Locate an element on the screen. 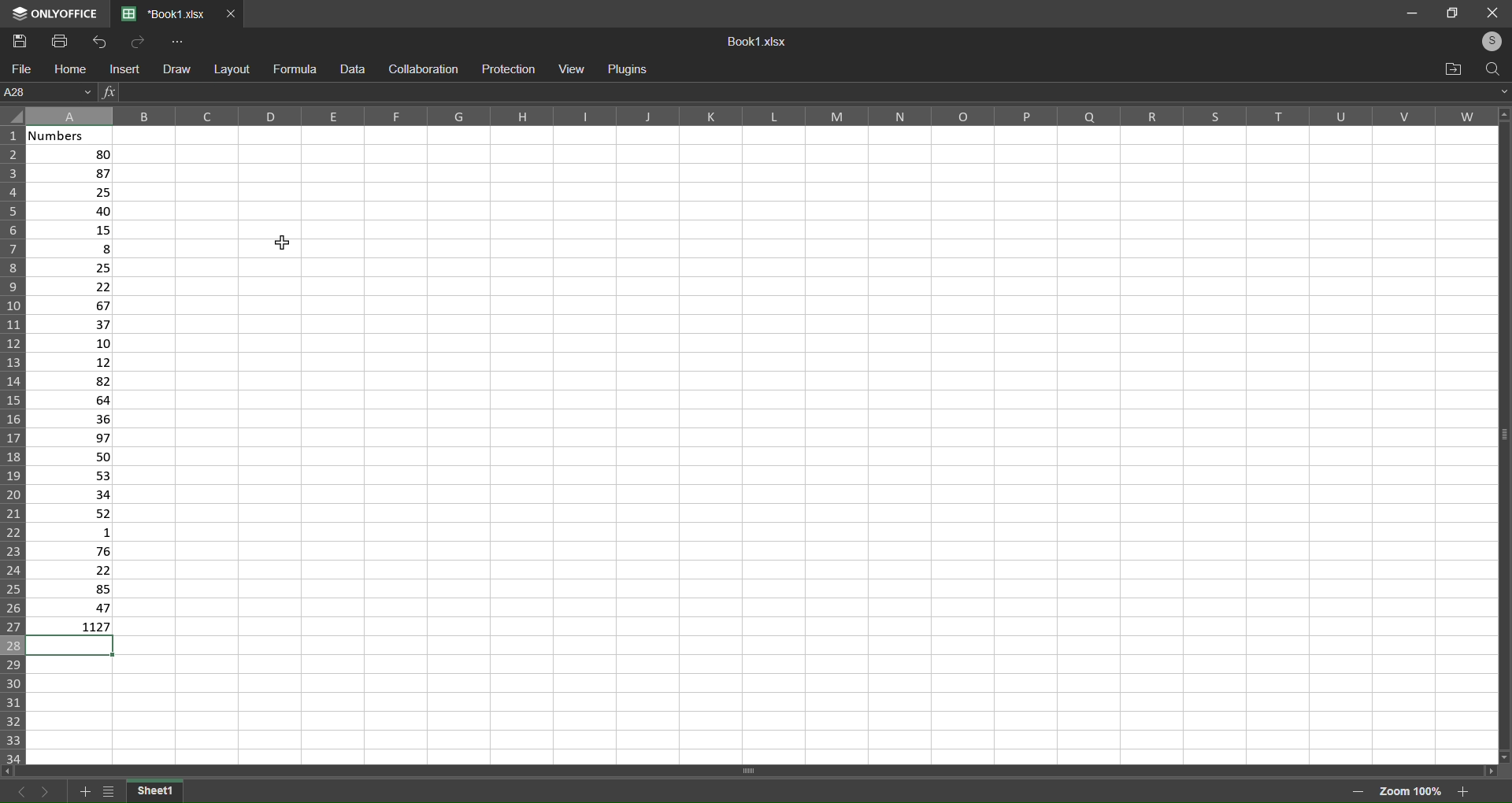  Row label is located at coordinates (14, 445).